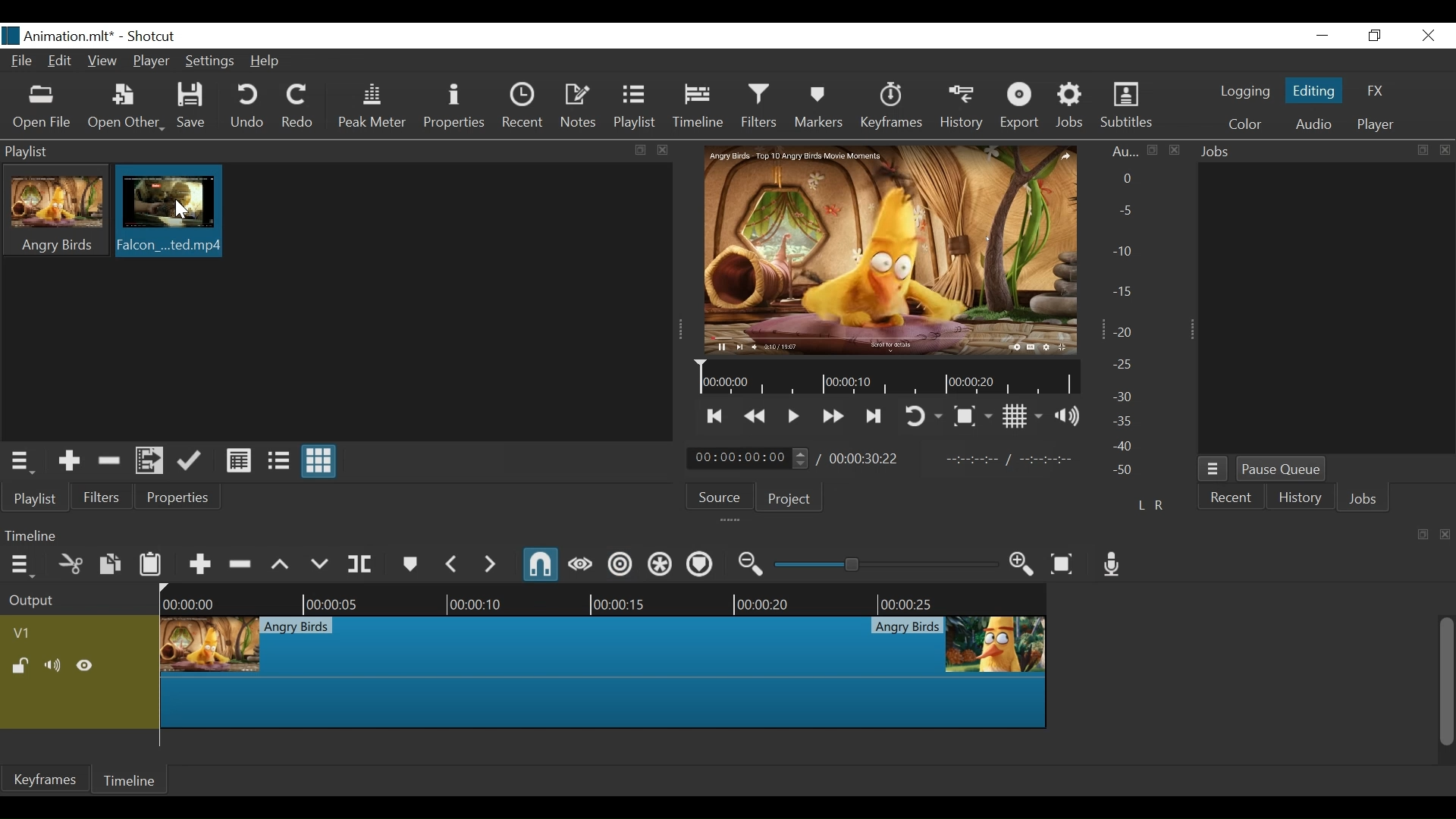 This screenshot has height=819, width=1456. What do you see at coordinates (1231, 497) in the screenshot?
I see `Recent` at bounding box center [1231, 497].